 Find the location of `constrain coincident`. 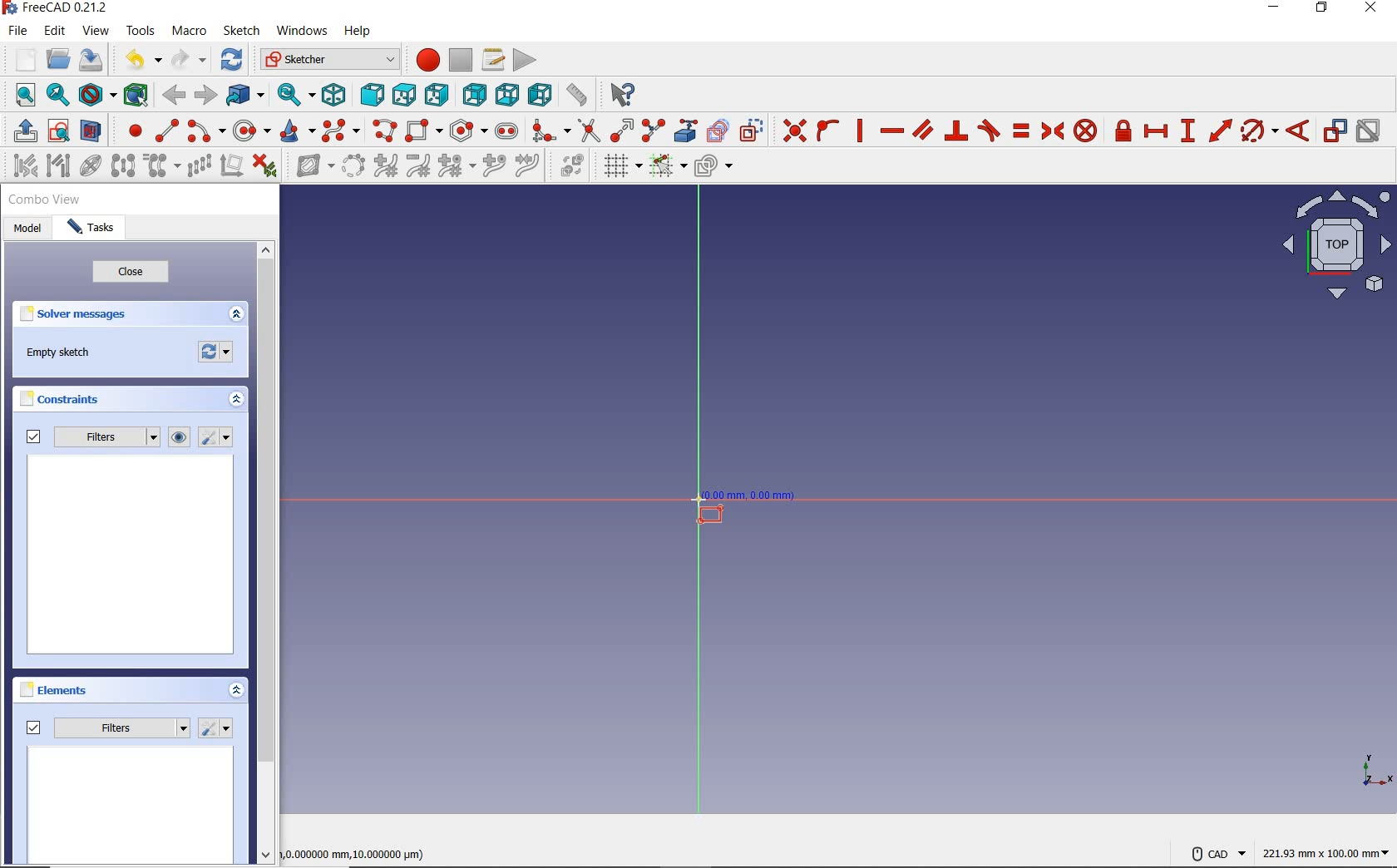

constrain coincident is located at coordinates (792, 131).